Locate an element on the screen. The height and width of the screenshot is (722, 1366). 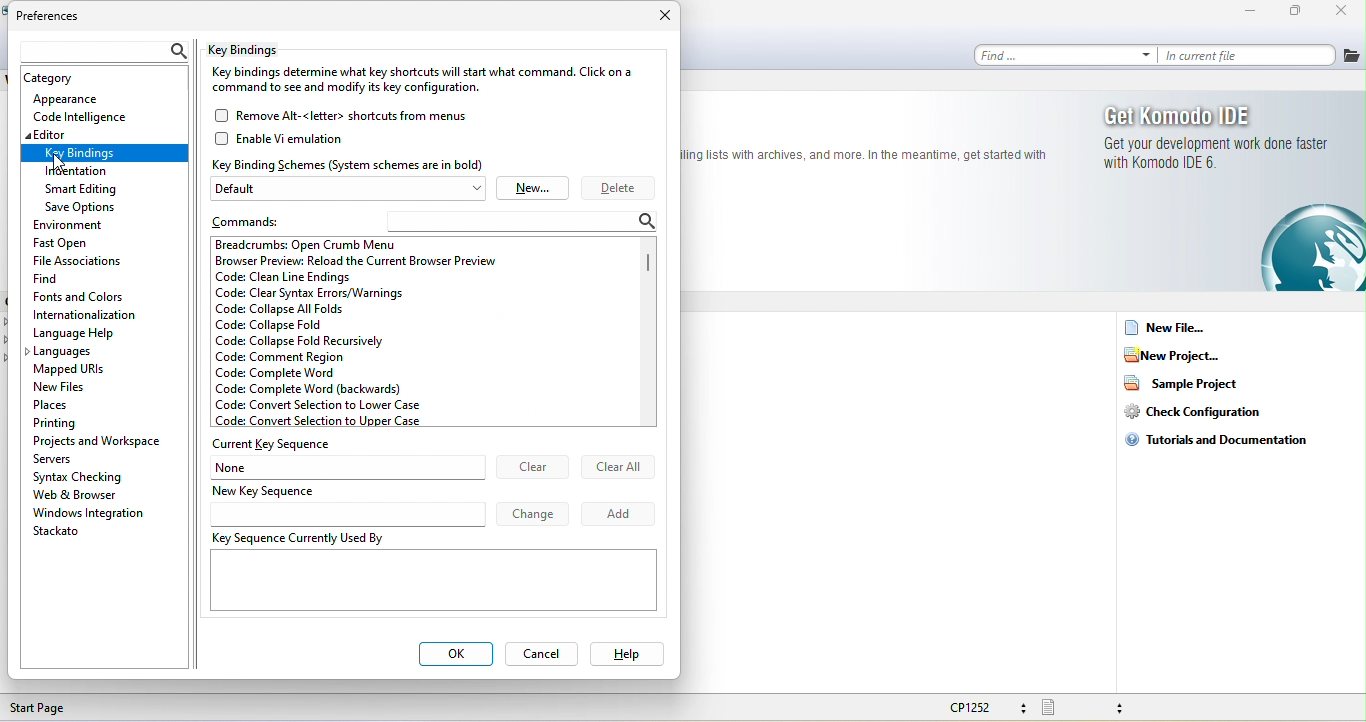
change is located at coordinates (534, 513).